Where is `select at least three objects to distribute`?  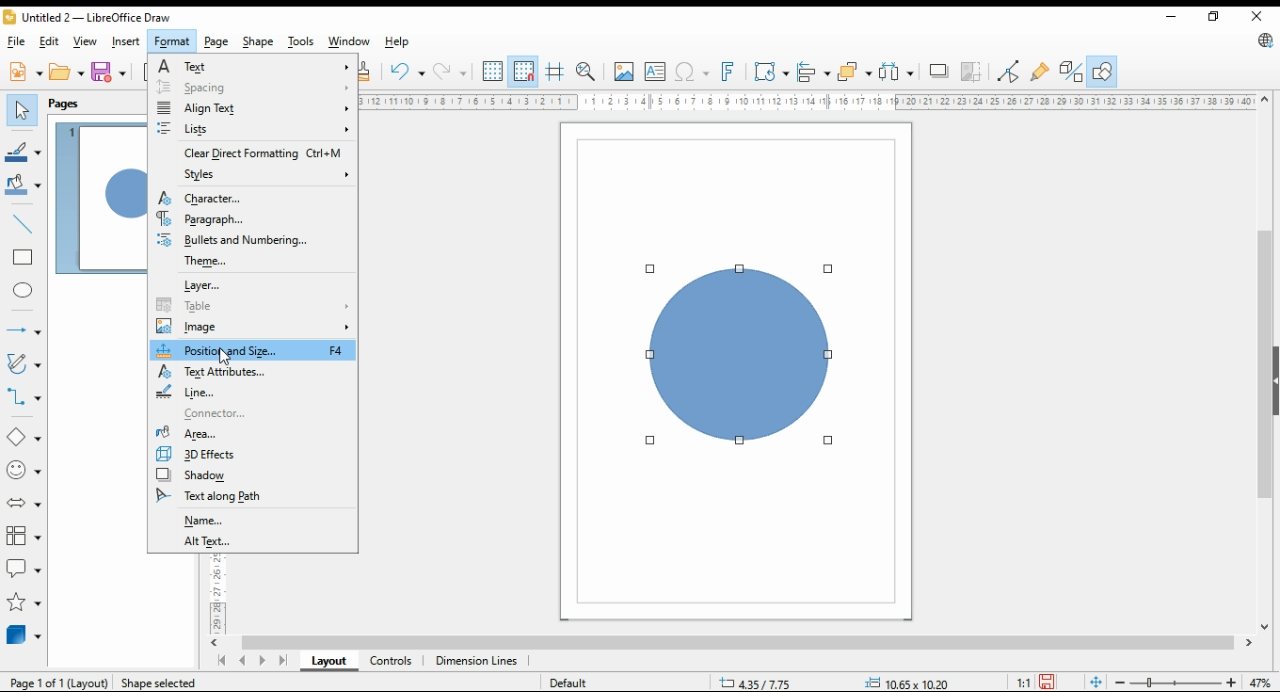 select at least three objects to distribute is located at coordinates (895, 72).